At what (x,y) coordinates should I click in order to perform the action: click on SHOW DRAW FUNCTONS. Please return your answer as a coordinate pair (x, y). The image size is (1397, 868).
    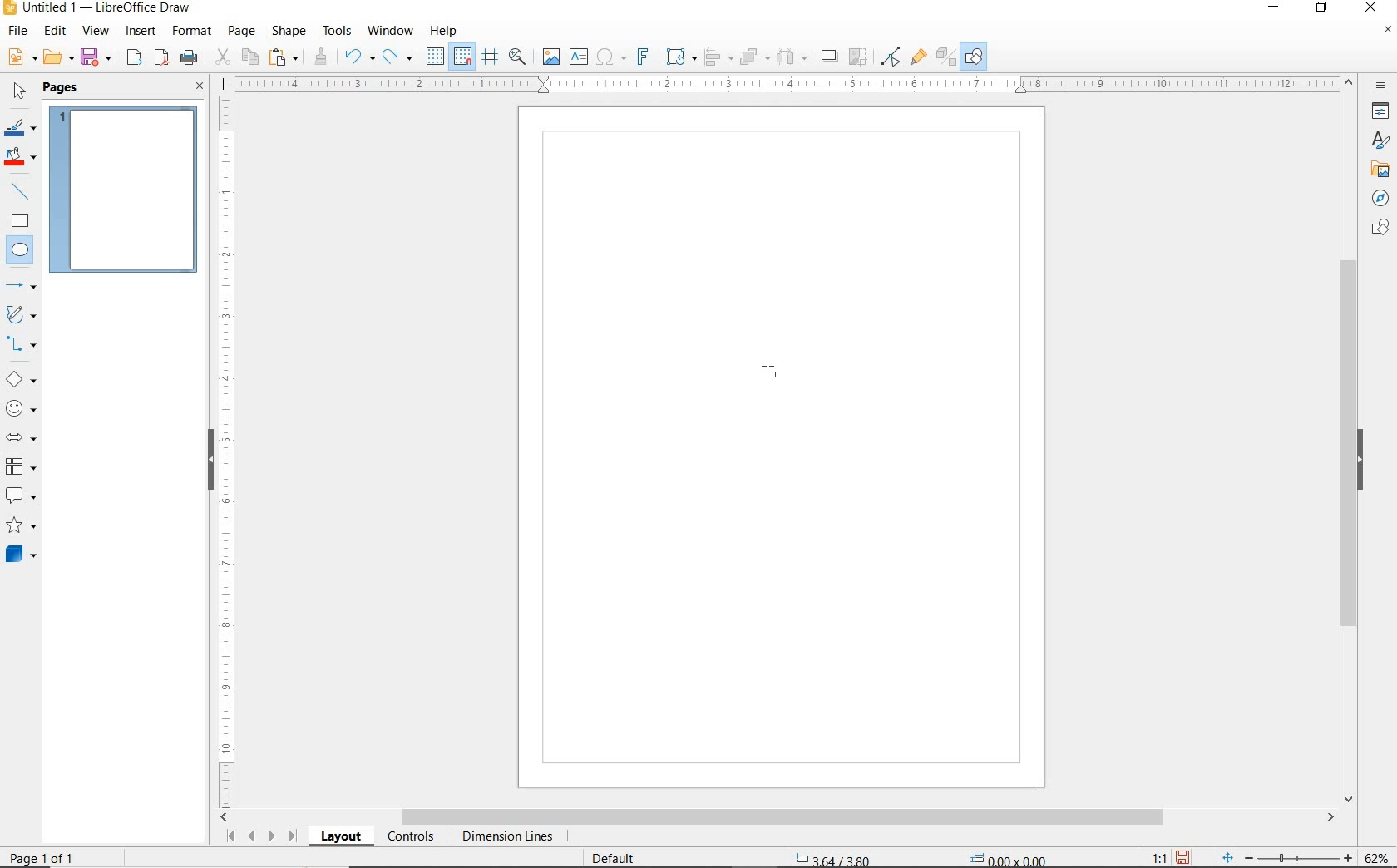
    Looking at the image, I should click on (974, 57).